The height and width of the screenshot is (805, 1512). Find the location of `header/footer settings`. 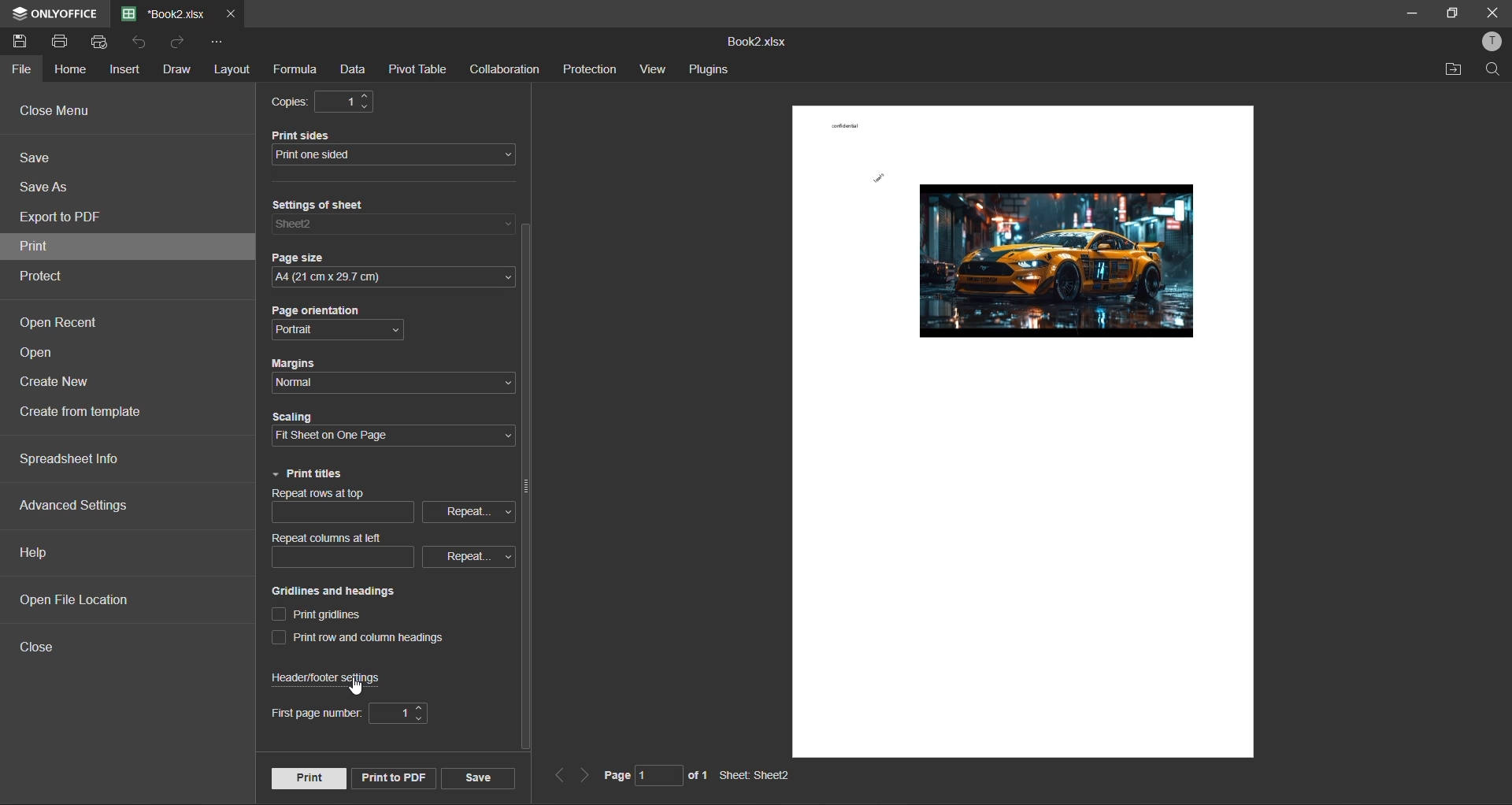

header/footer settings is located at coordinates (328, 676).